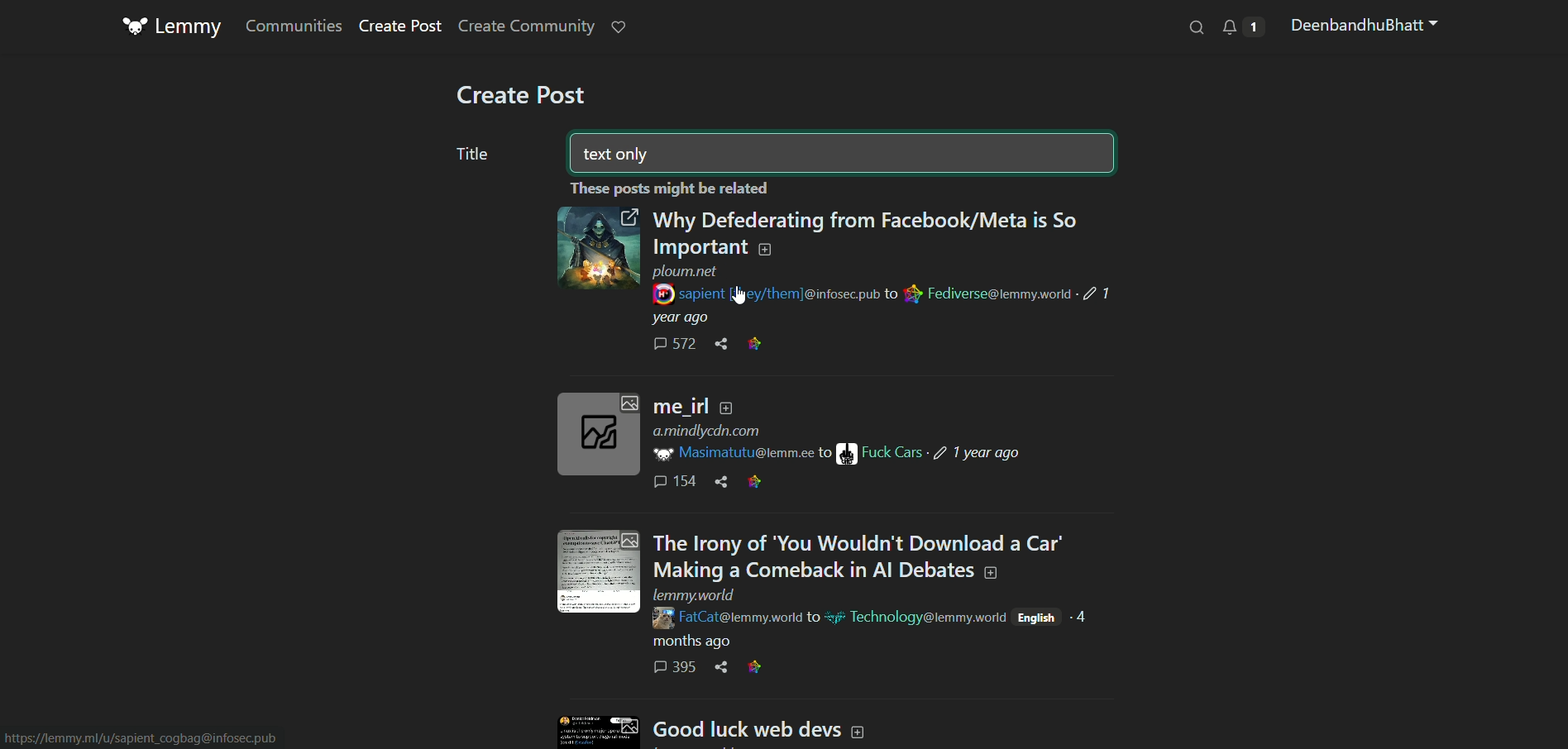 This screenshot has width=1568, height=749. What do you see at coordinates (753, 667) in the screenshot?
I see `Link` at bounding box center [753, 667].